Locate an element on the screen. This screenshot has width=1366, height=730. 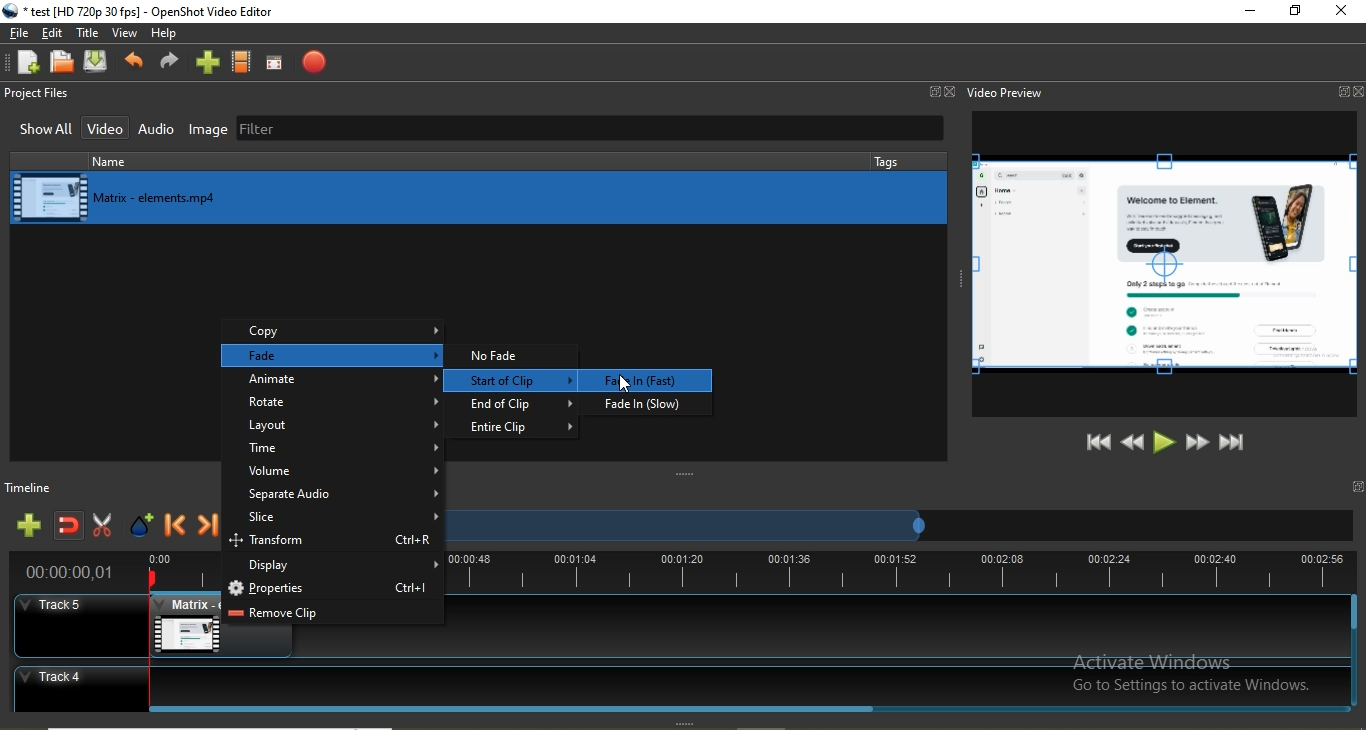
Jump to end is located at coordinates (1233, 444).